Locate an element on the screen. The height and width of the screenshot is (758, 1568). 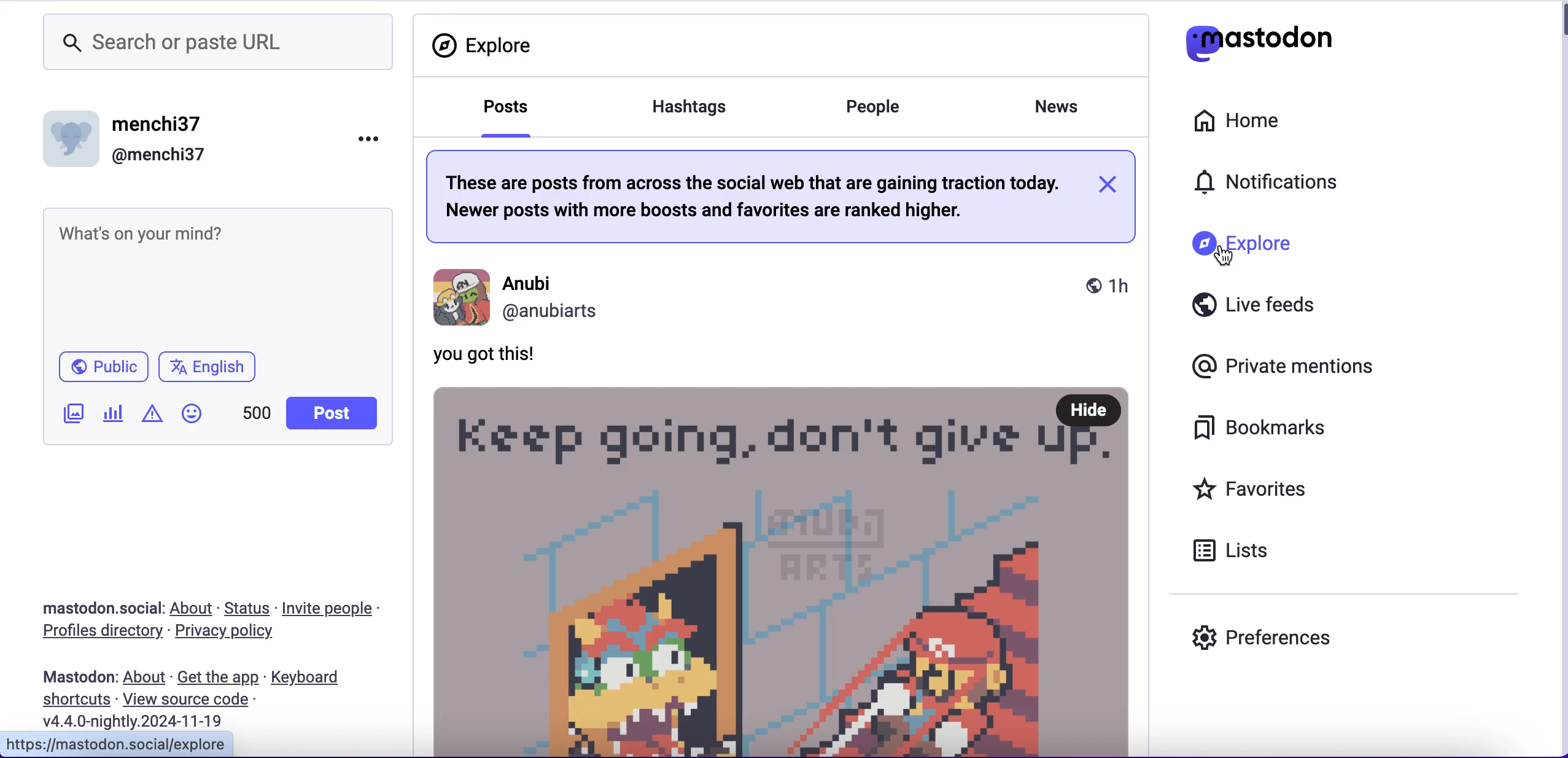
post what's on your mind is located at coordinates (217, 272).